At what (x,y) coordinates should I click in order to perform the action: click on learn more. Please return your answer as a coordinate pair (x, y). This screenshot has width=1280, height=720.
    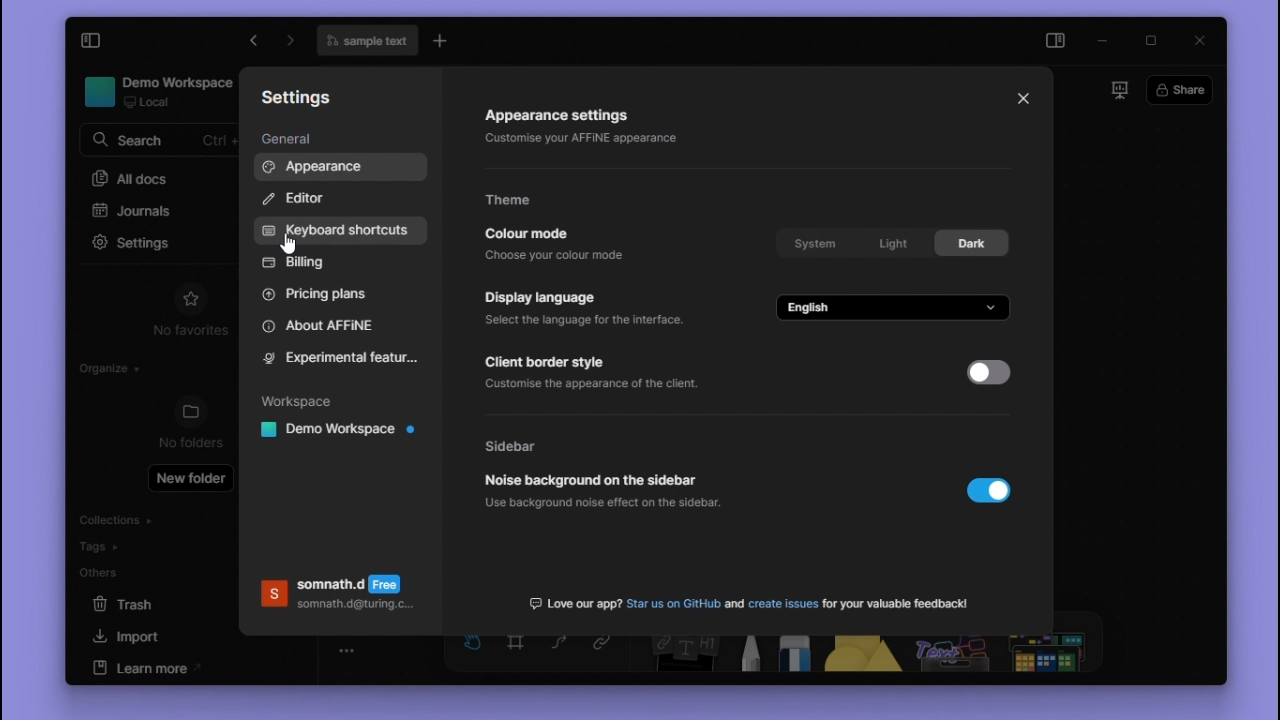
    Looking at the image, I should click on (151, 667).